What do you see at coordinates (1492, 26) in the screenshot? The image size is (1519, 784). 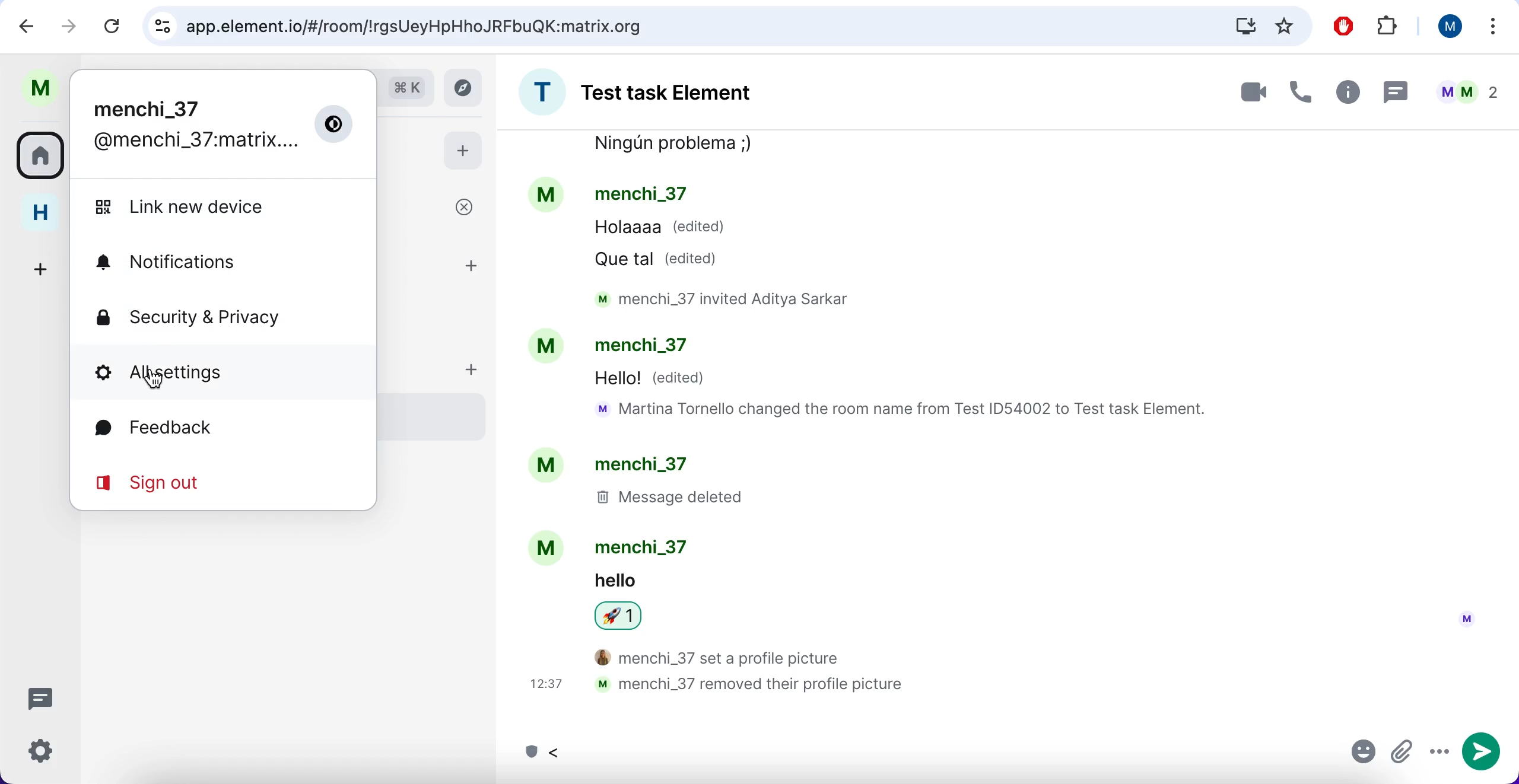 I see `more options` at bounding box center [1492, 26].